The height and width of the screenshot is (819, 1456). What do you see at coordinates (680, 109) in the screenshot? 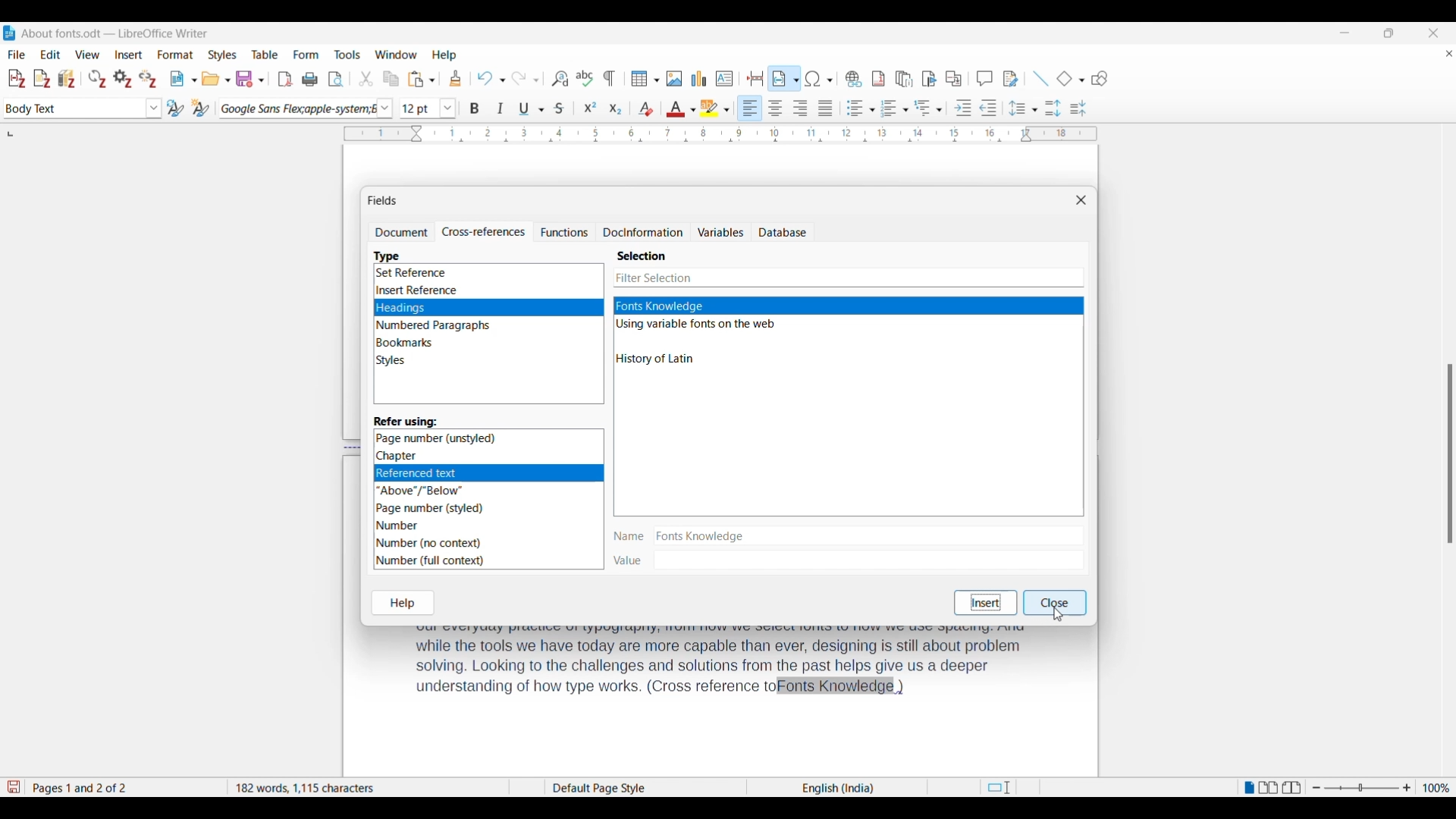
I see `Text color options` at bounding box center [680, 109].